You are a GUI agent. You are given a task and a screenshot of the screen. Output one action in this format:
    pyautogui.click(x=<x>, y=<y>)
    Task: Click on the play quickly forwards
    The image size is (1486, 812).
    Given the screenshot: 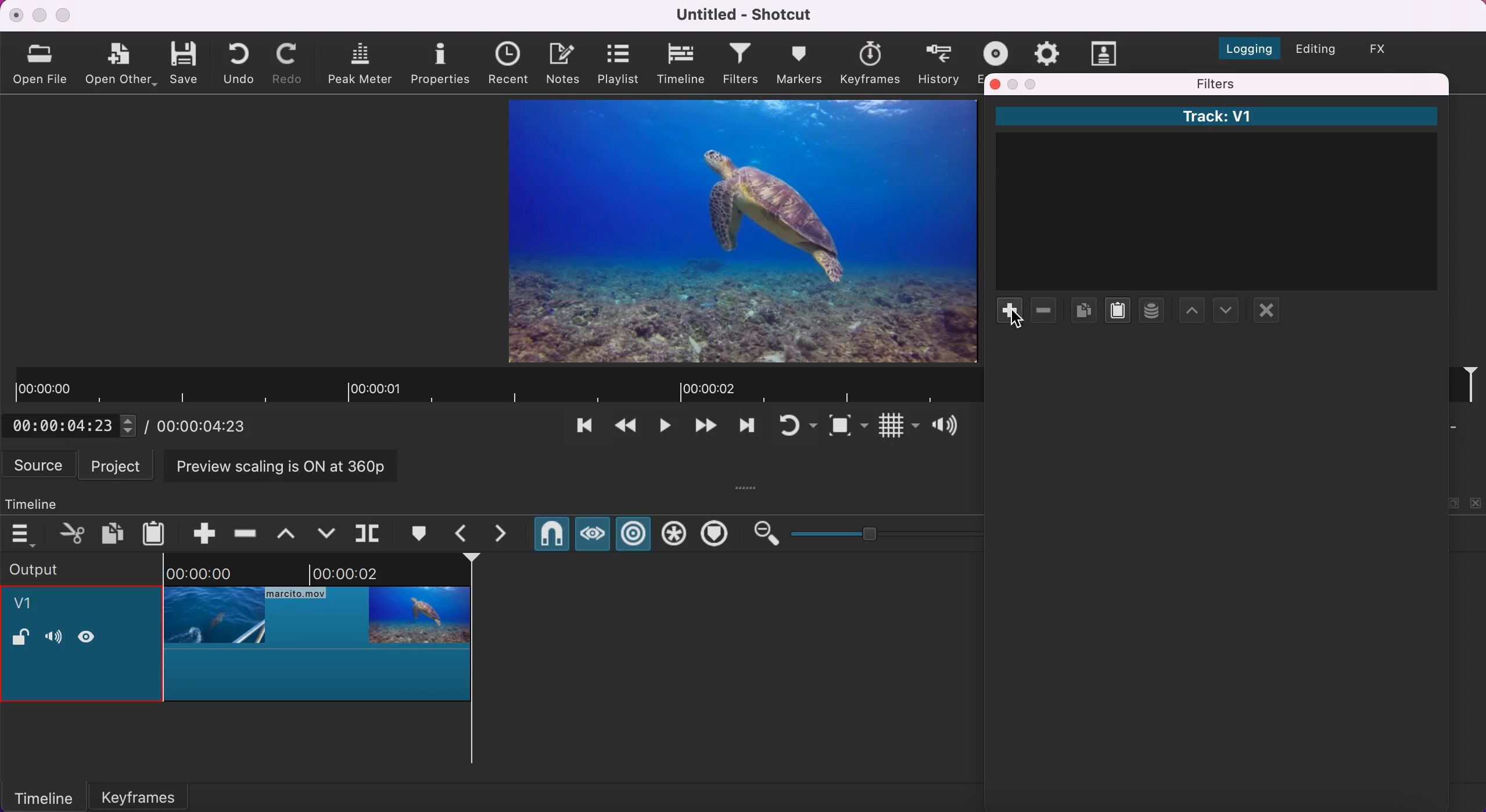 What is the action you would take?
    pyautogui.click(x=745, y=429)
    